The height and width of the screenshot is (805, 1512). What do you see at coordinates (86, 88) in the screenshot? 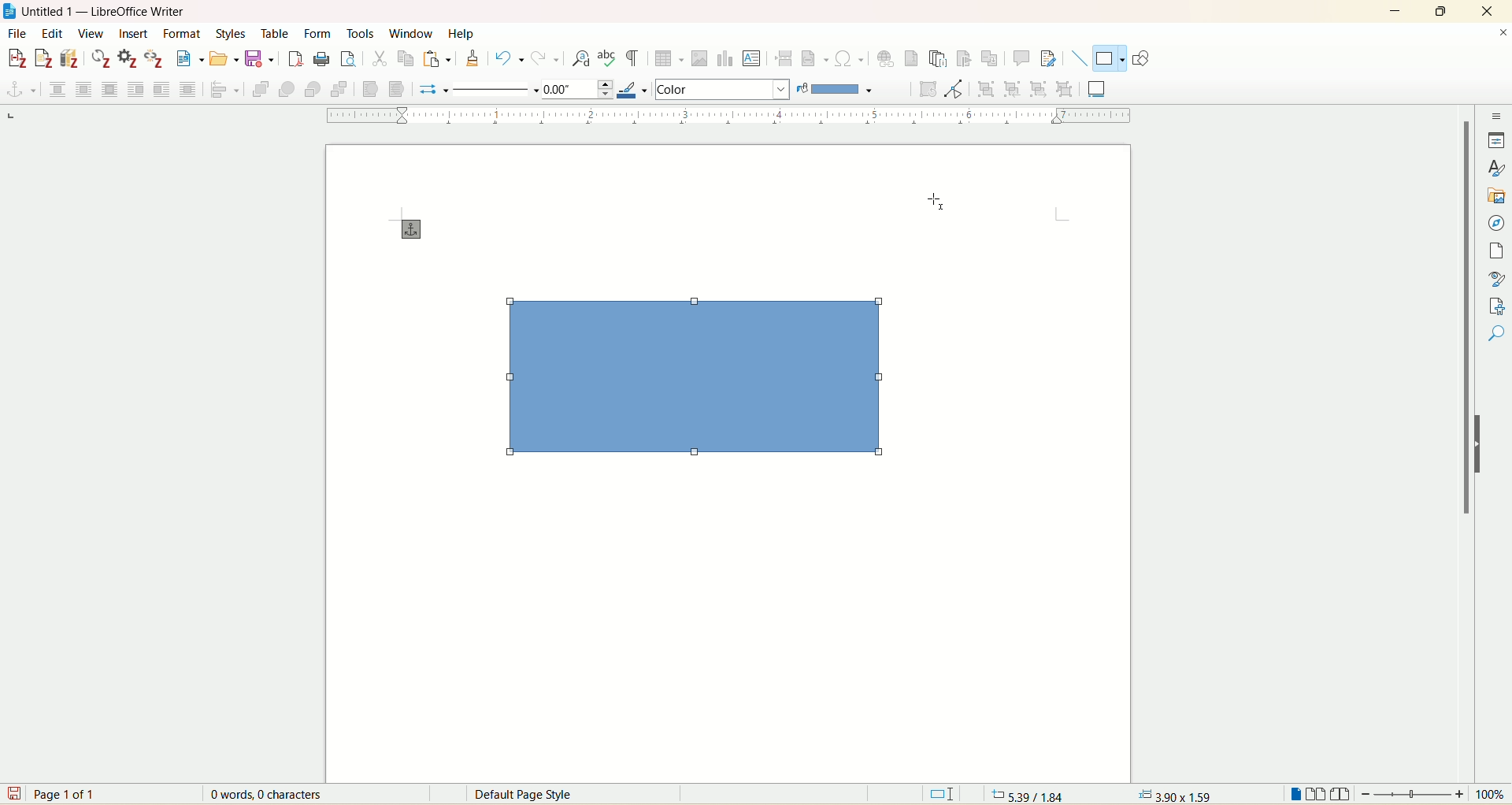
I see `parallel` at bounding box center [86, 88].